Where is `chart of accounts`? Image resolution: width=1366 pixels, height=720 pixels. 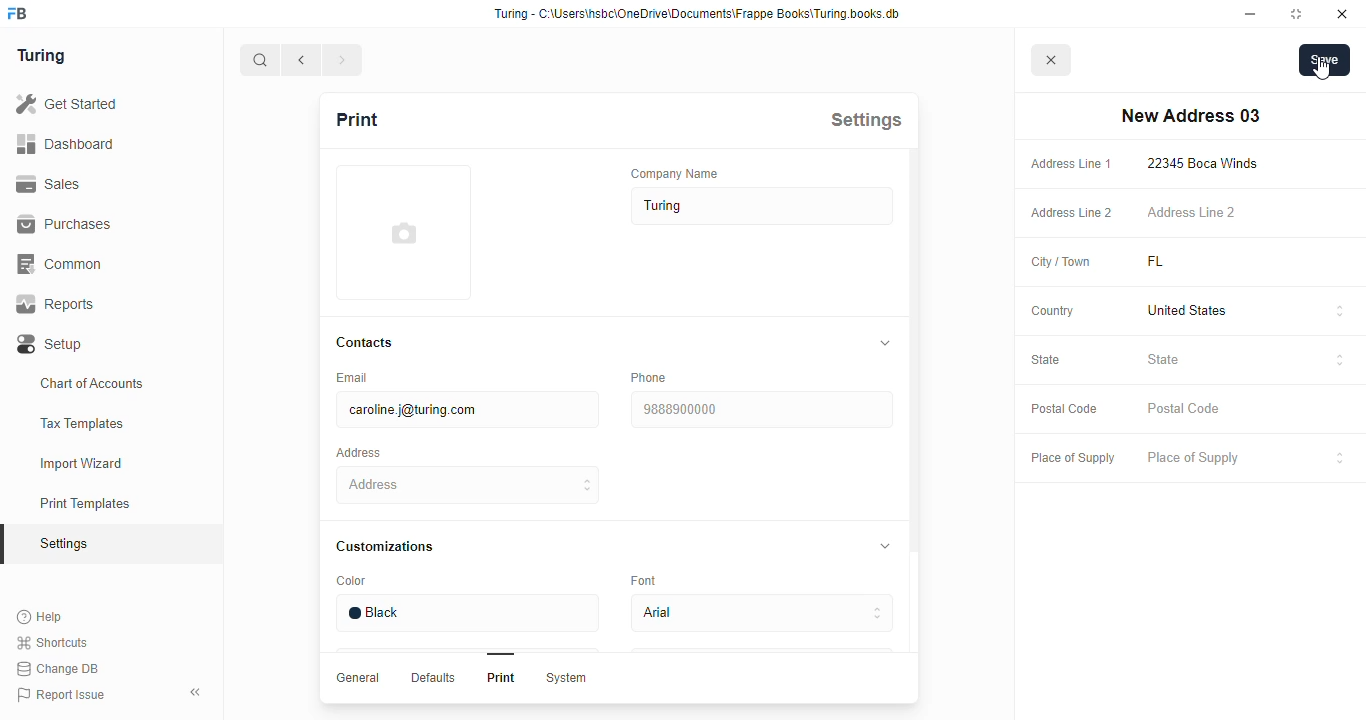 chart of accounts is located at coordinates (92, 383).